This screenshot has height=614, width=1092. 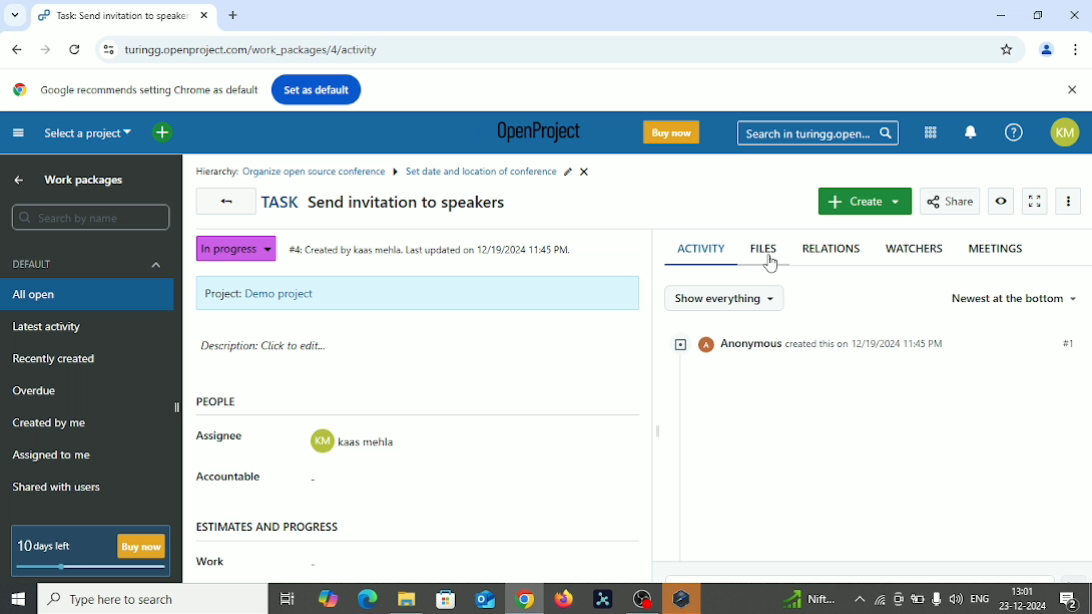 What do you see at coordinates (90, 180) in the screenshot?
I see `Work packages` at bounding box center [90, 180].